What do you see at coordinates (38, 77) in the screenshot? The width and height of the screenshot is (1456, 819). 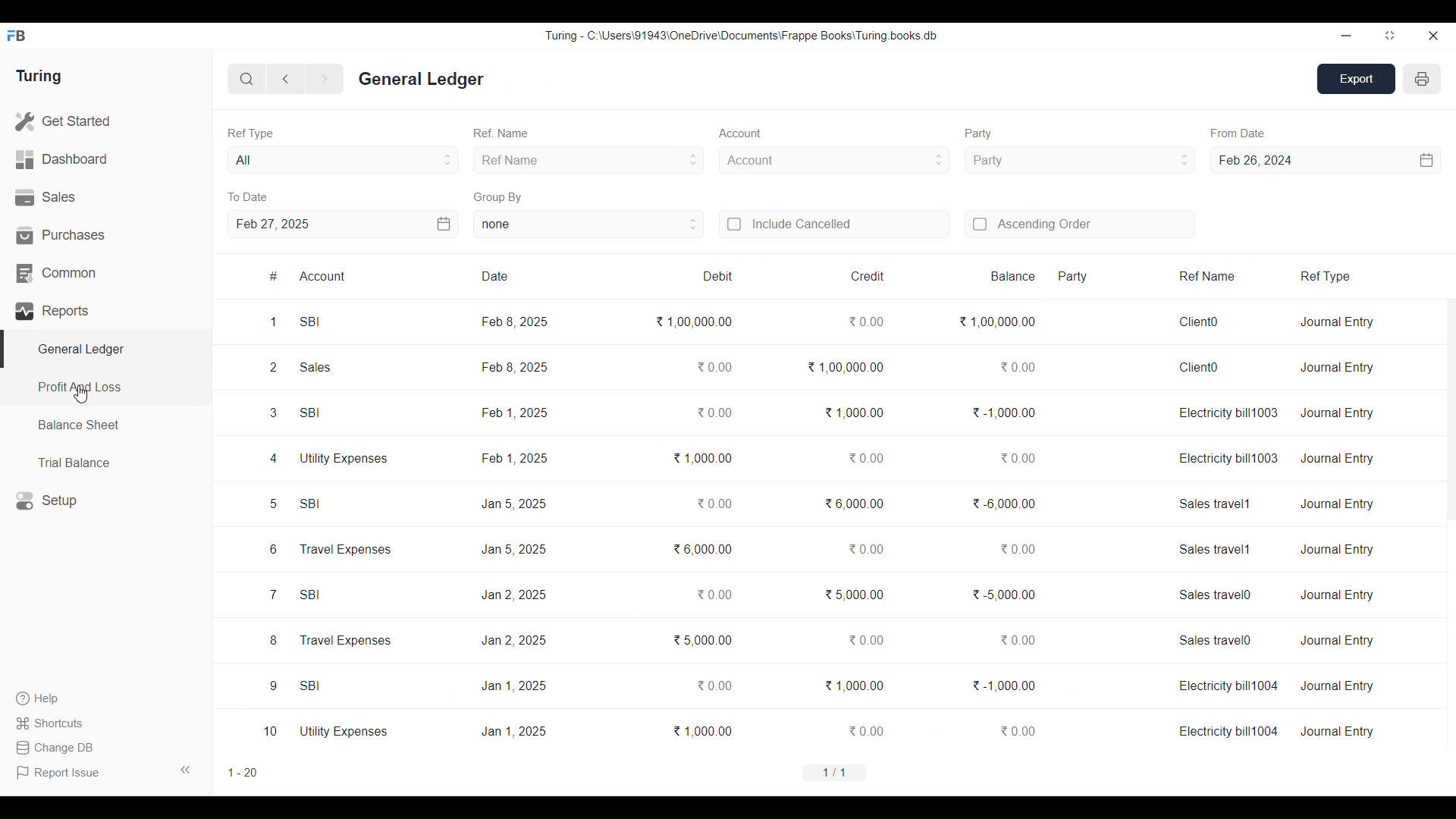 I see `Turing` at bounding box center [38, 77].